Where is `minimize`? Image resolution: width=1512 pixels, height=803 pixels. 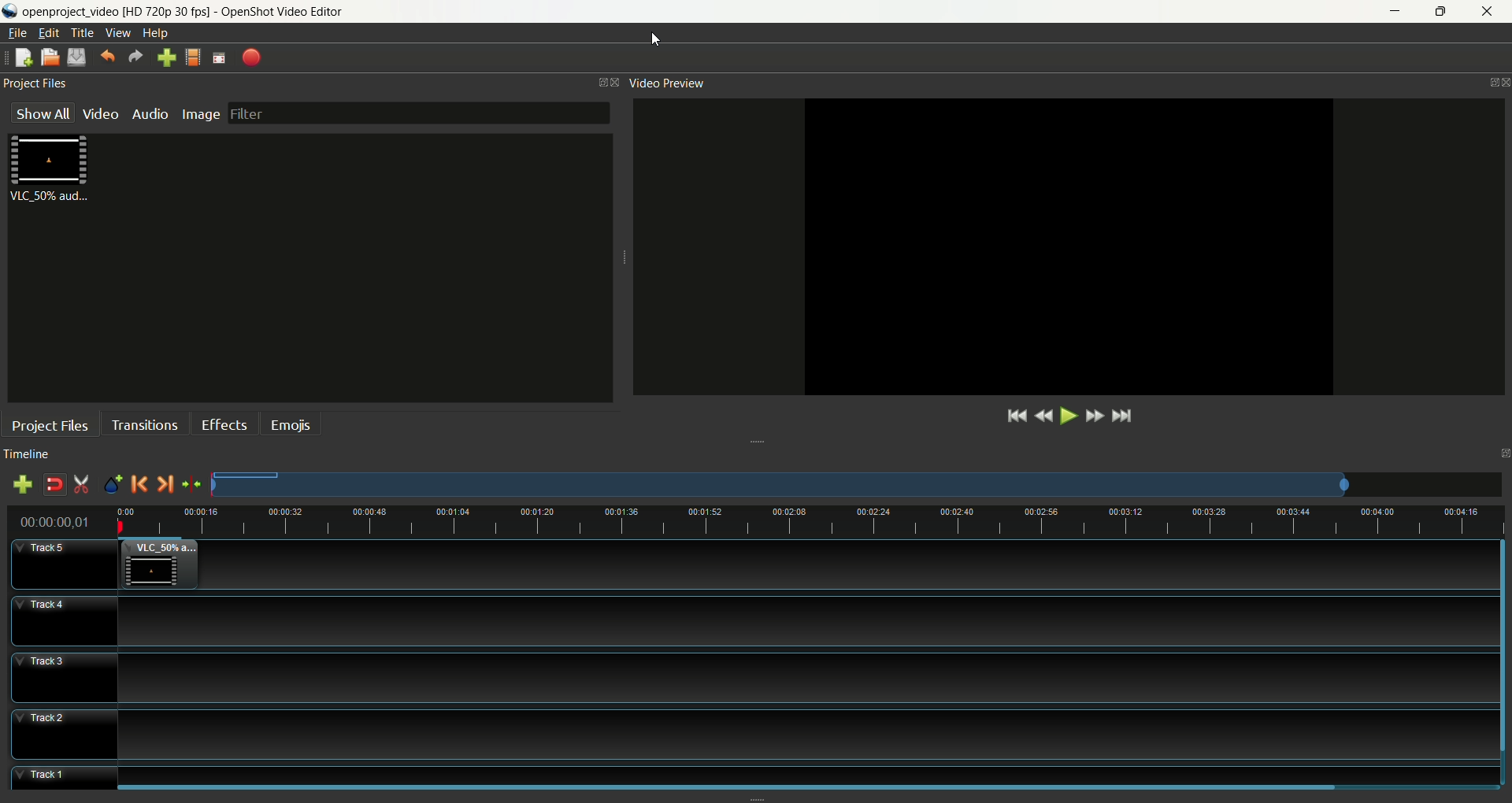
minimize is located at coordinates (1392, 12).